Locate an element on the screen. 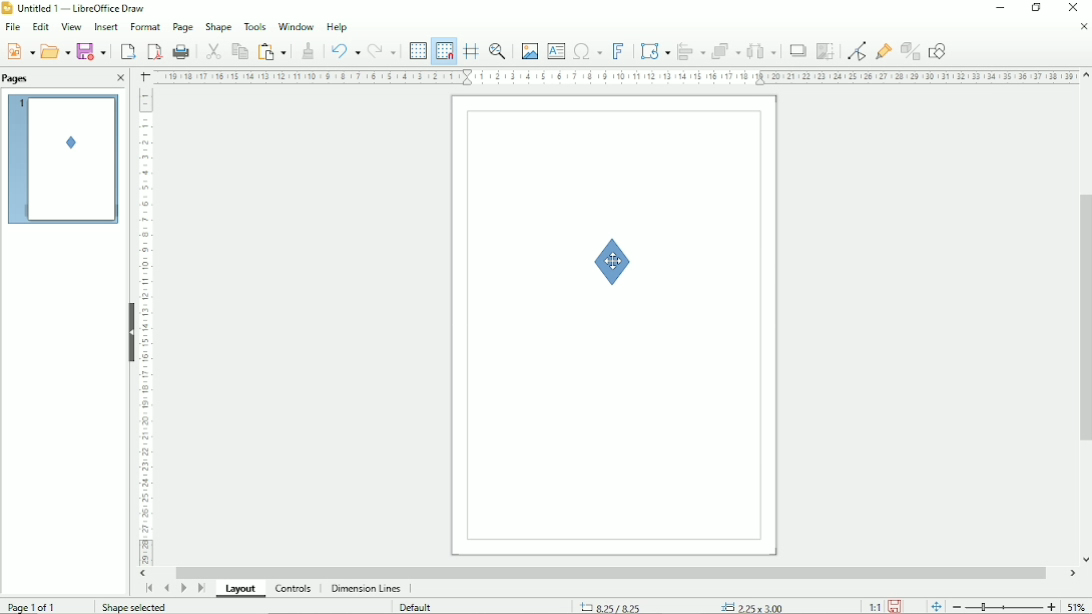 The image size is (1092, 614). Snap to grid is located at coordinates (444, 50).